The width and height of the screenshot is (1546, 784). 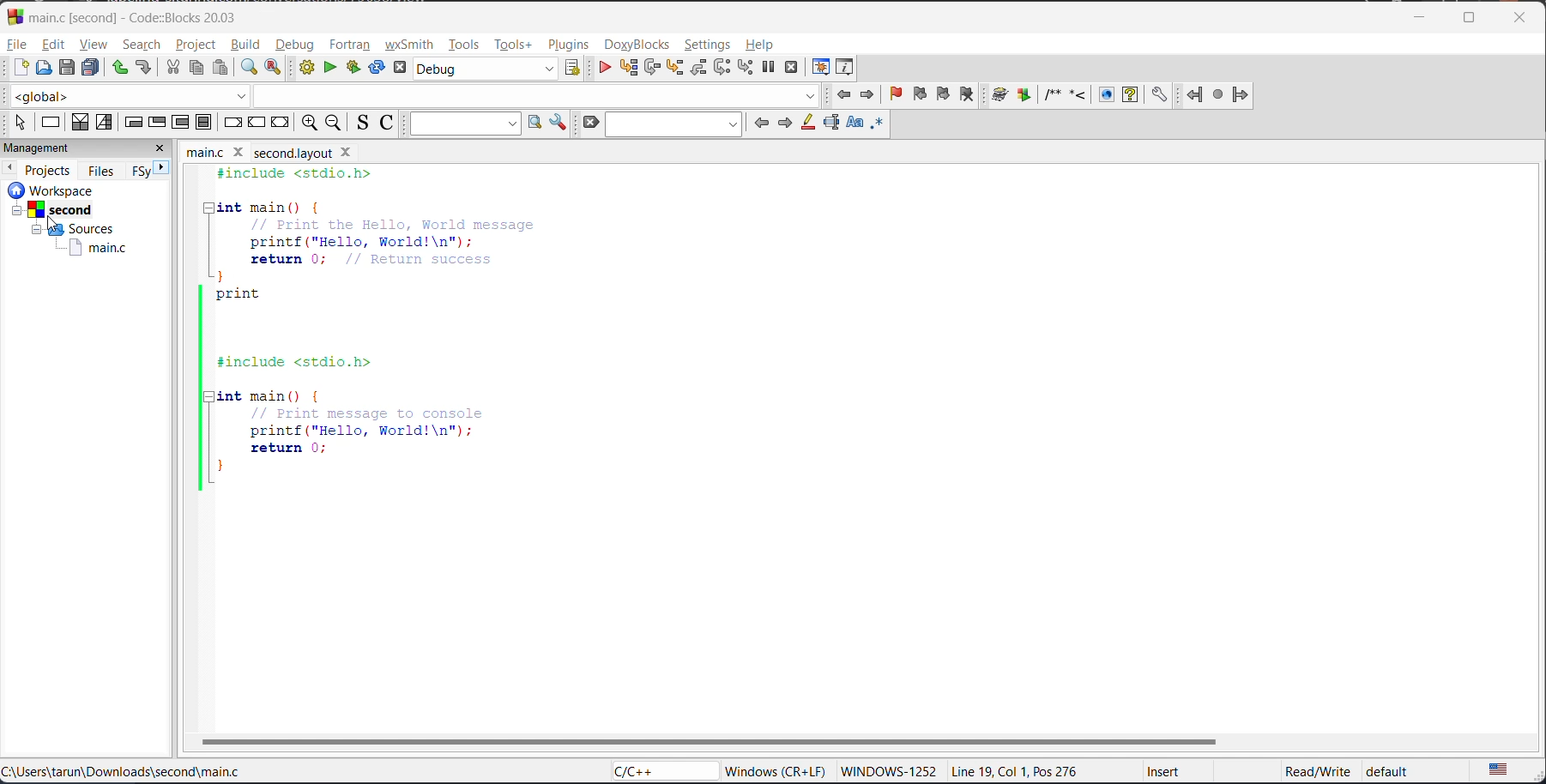 I want to click on next instruction, so click(x=723, y=67).